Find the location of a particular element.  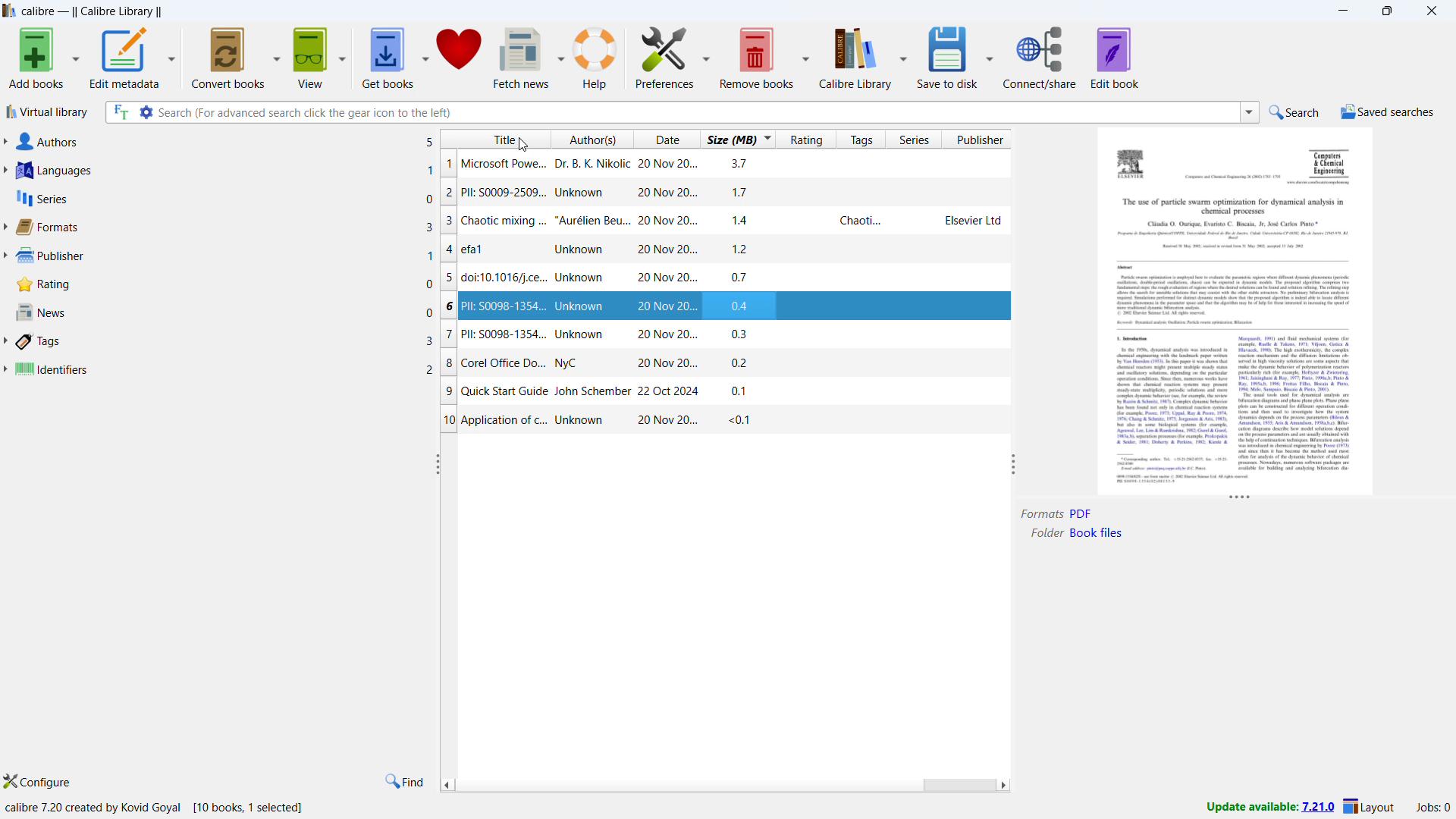

view options is located at coordinates (341, 58).